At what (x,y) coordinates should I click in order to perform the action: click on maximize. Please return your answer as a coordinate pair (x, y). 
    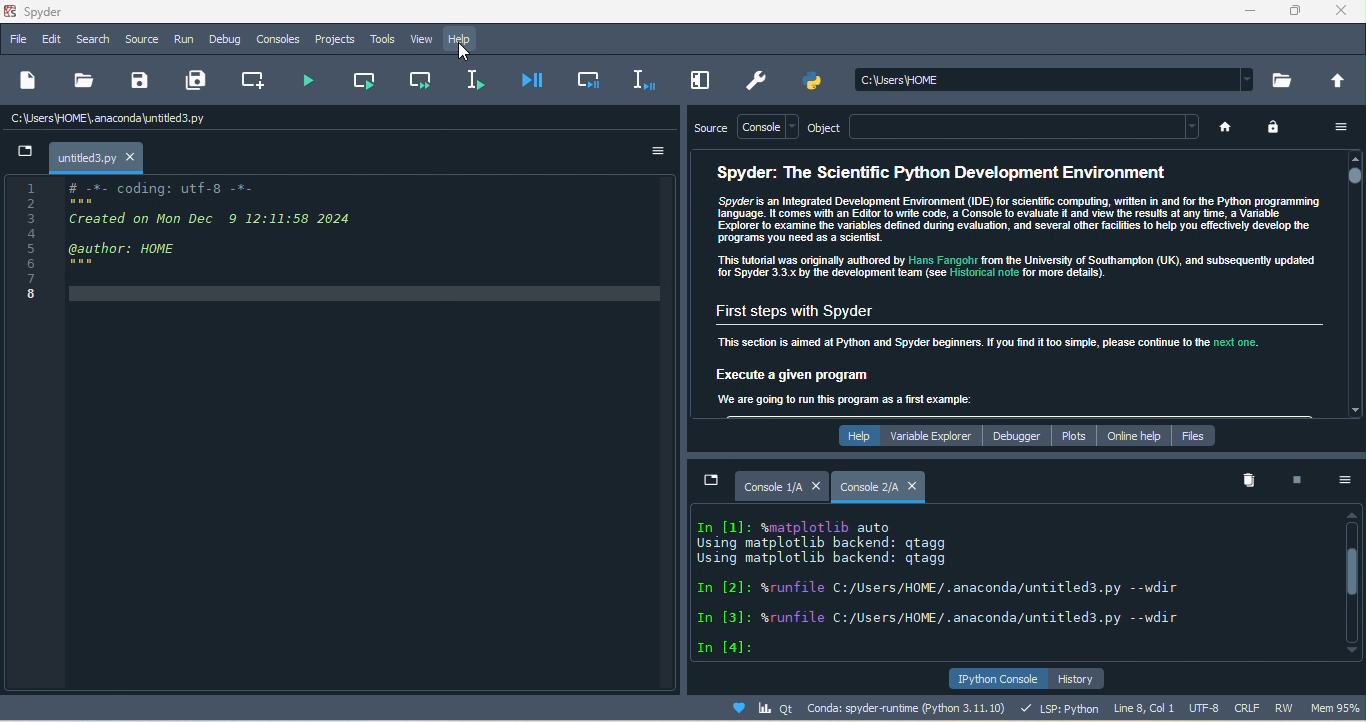
    Looking at the image, I should click on (1295, 12).